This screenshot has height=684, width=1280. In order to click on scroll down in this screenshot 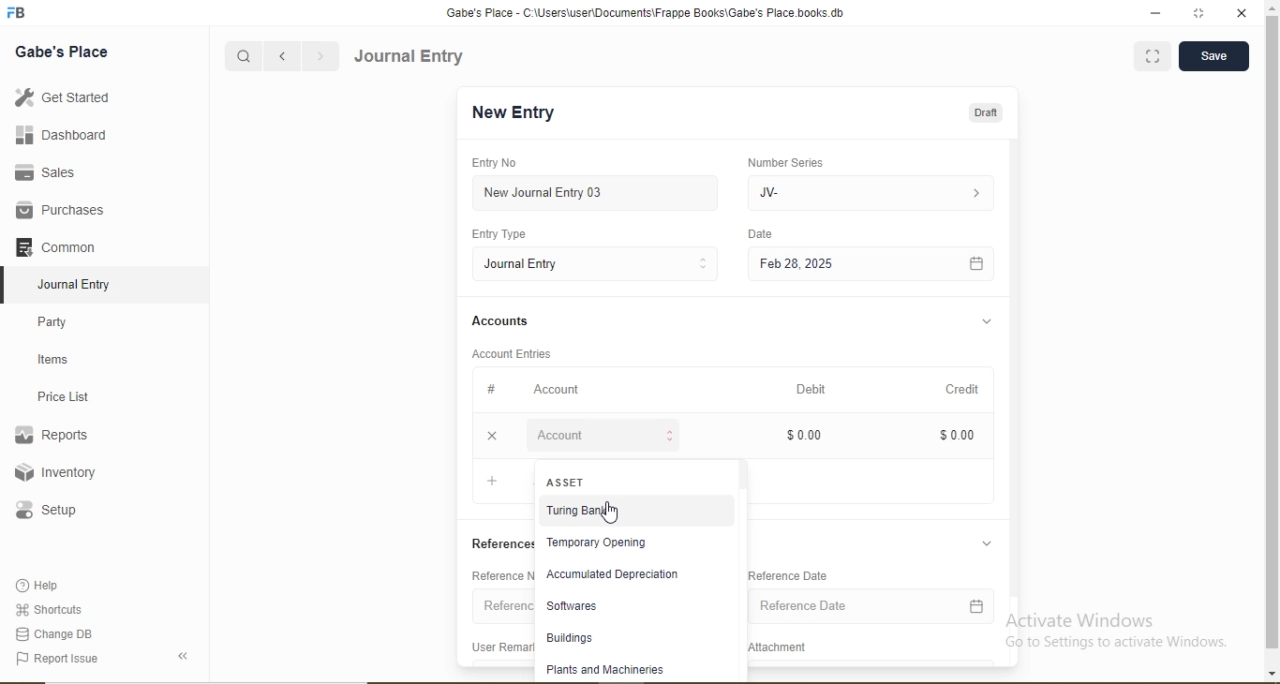, I will do `click(1270, 674)`.